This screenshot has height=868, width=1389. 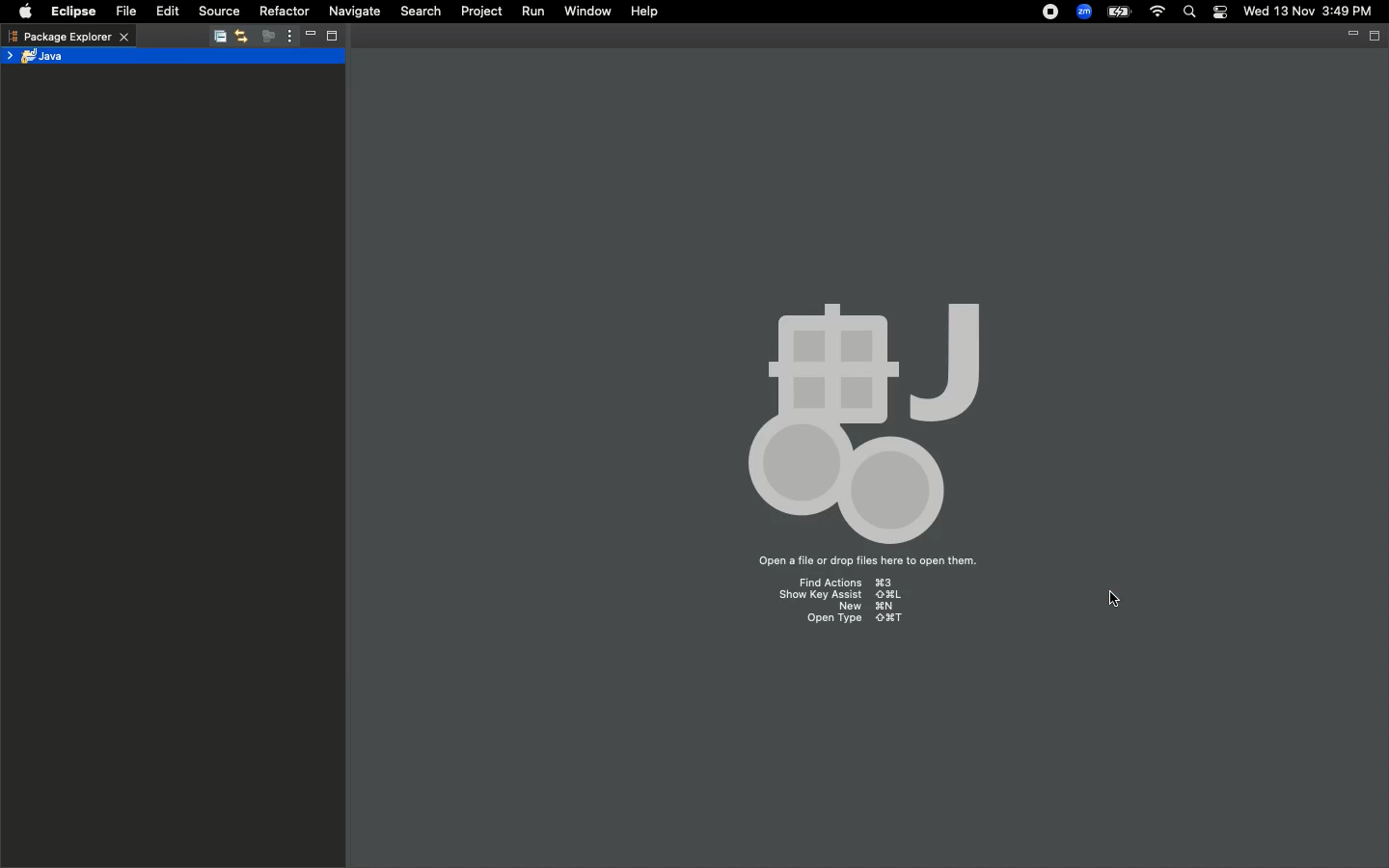 What do you see at coordinates (643, 12) in the screenshot?
I see `Help` at bounding box center [643, 12].